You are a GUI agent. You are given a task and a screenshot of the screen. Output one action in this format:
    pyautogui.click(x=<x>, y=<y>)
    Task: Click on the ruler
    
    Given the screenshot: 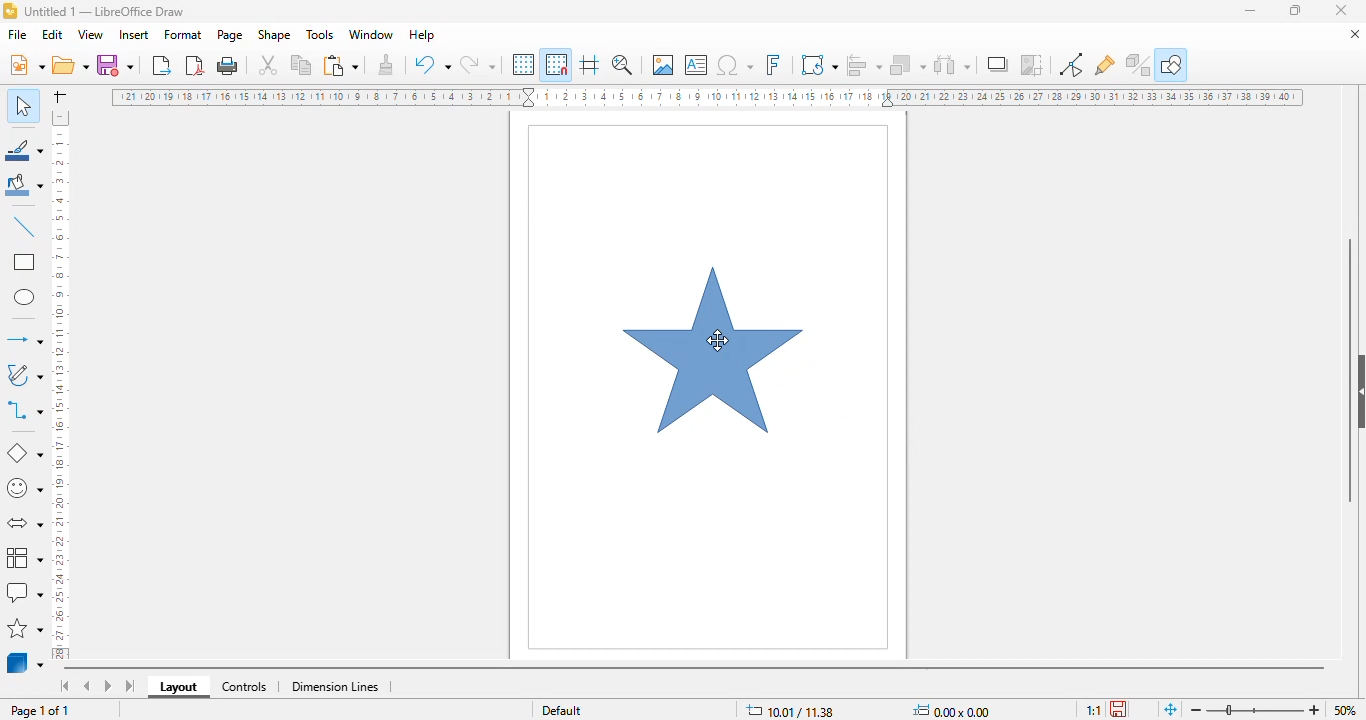 What is the action you would take?
    pyautogui.click(x=61, y=384)
    